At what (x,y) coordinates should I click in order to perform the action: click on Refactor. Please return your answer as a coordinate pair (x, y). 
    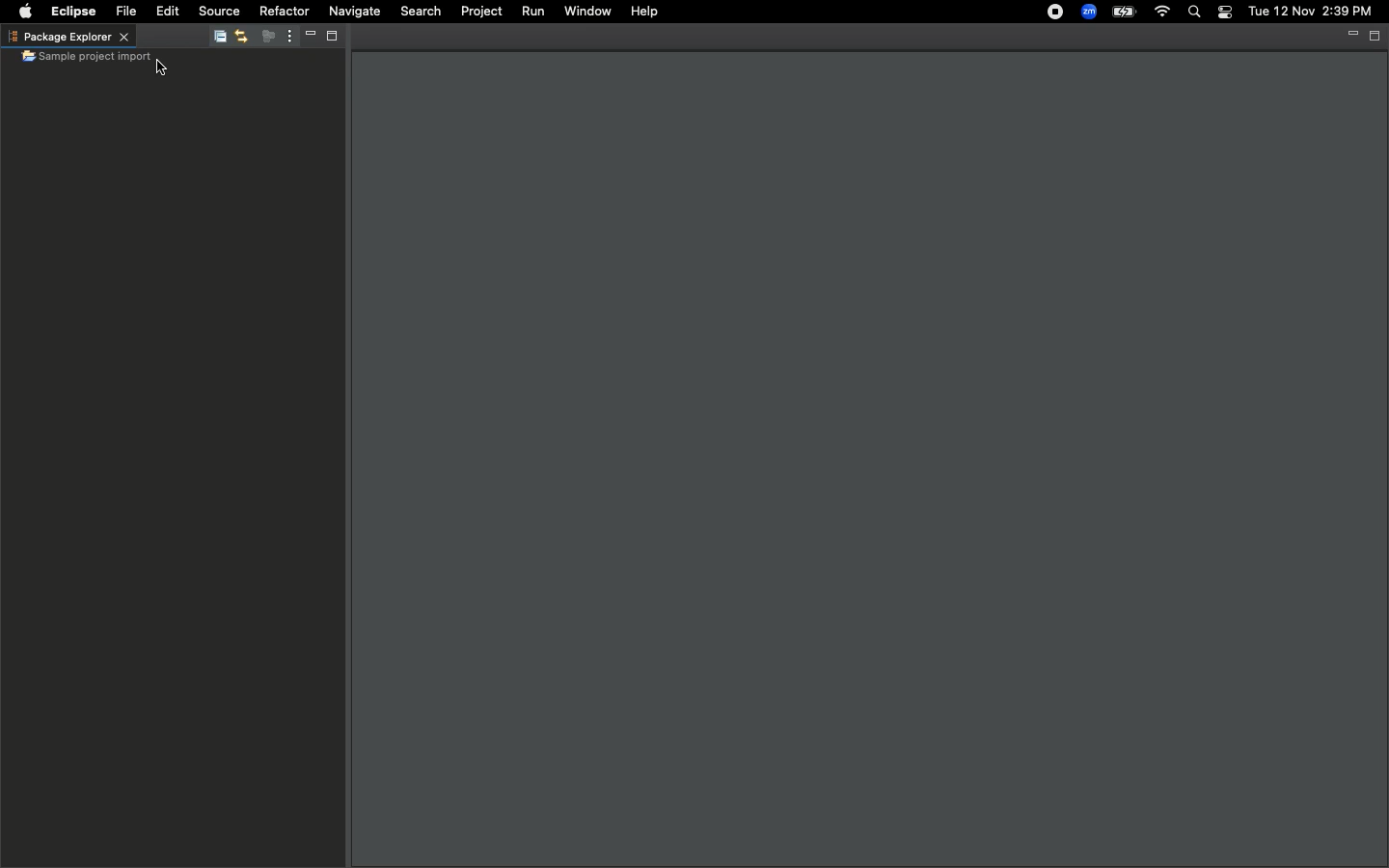
    Looking at the image, I should click on (284, 10).